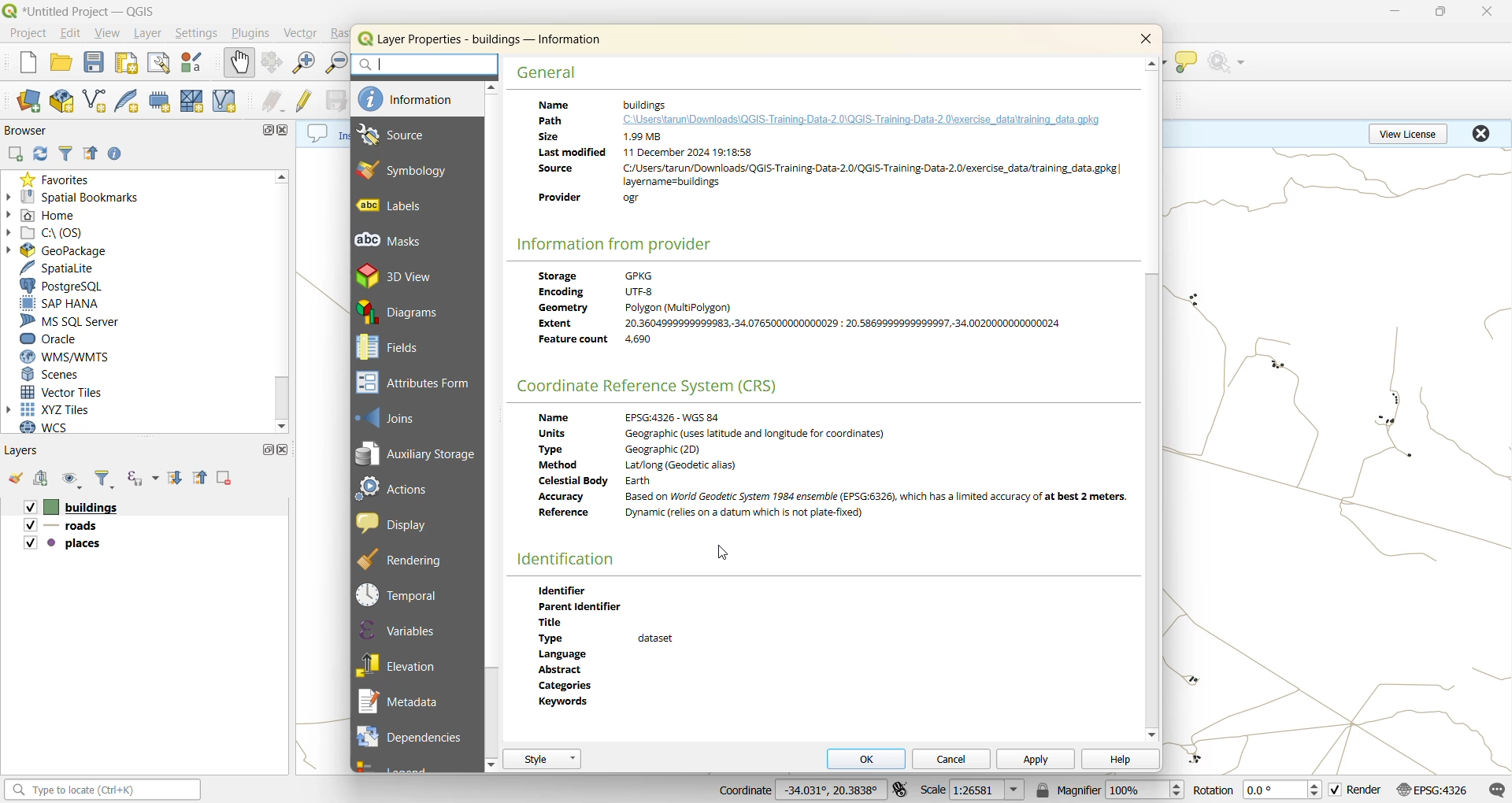  What do you see at coordinates (655, 387) in the screenshot?
I see `coordinate reference system (CRS` at bounding box center [655, 387].